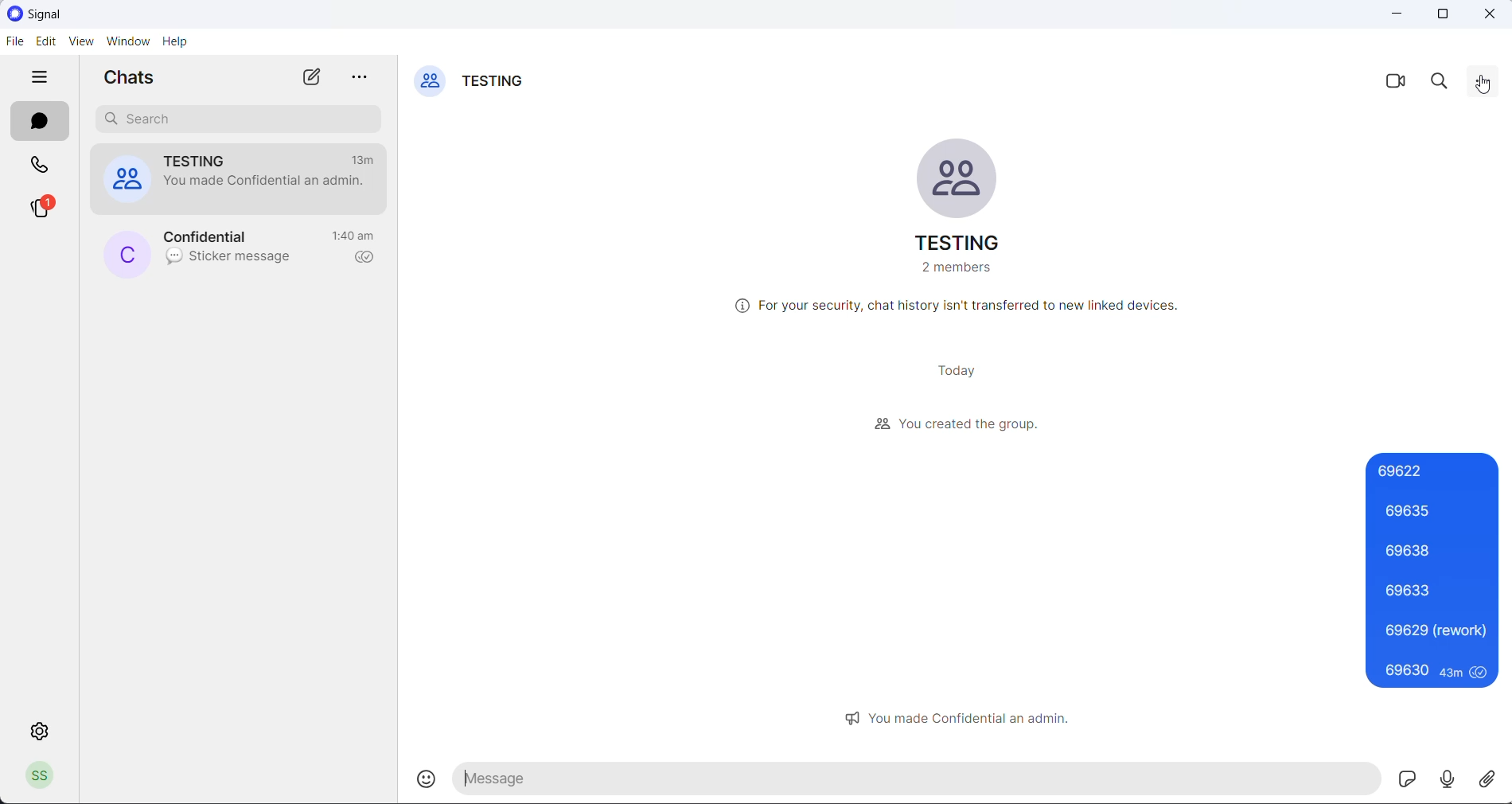  What do you see at coordinates (125, 181) in the screenshot?
I see `group cover photo` at bounding box center [125, 181].